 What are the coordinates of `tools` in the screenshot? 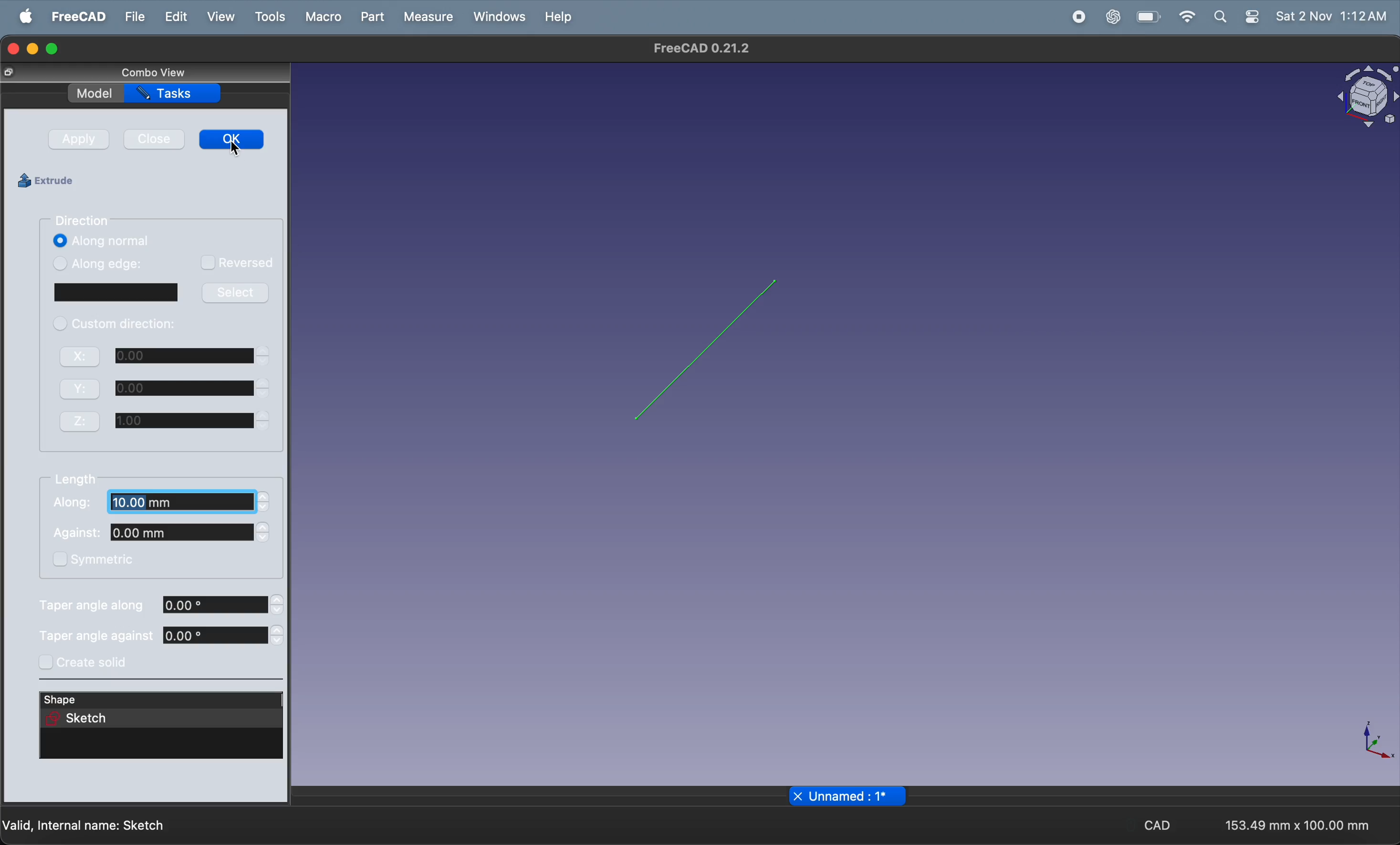 It's located at (267, 18).